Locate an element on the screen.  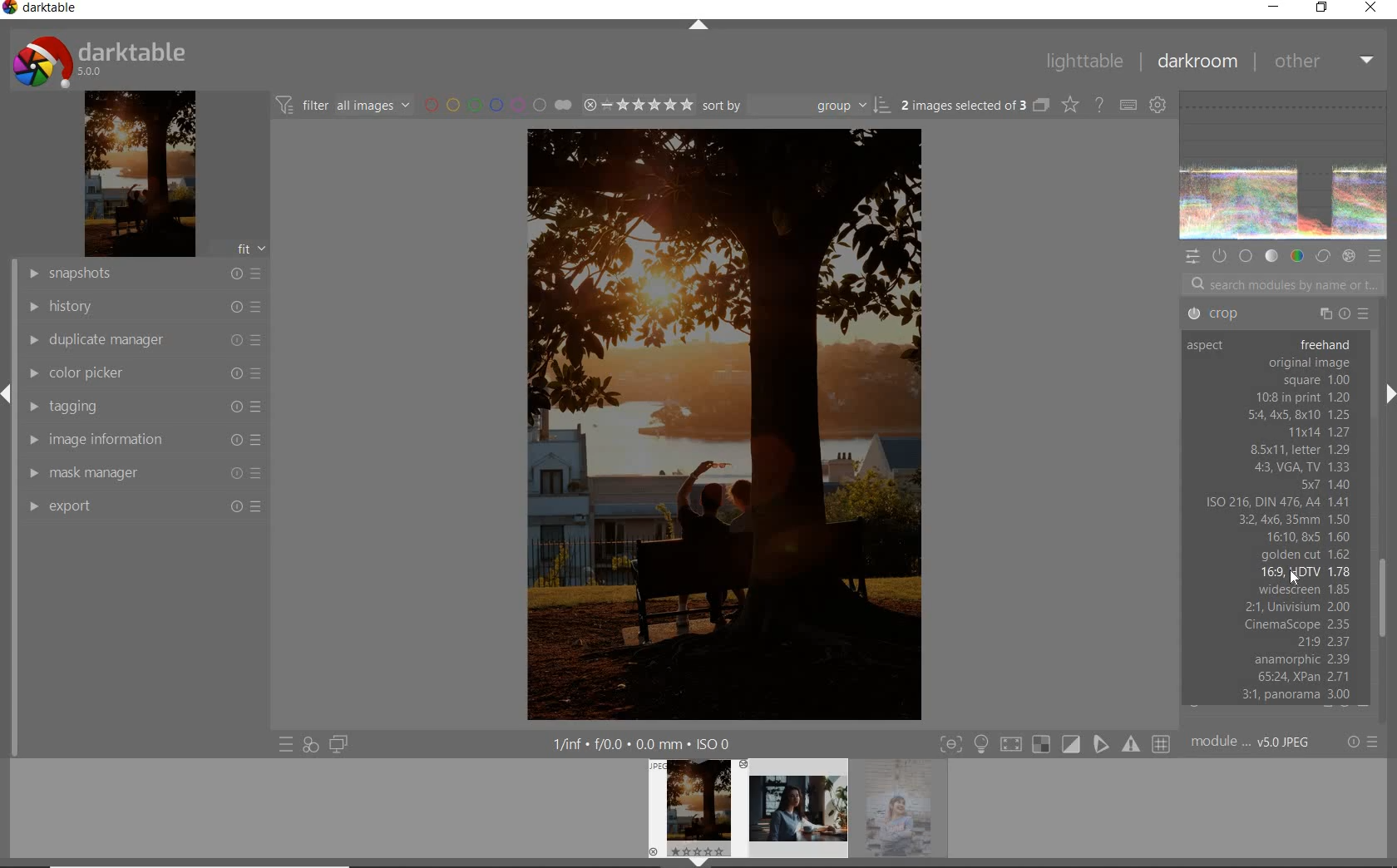
expand/collapse is located at coordinates (697, 862).